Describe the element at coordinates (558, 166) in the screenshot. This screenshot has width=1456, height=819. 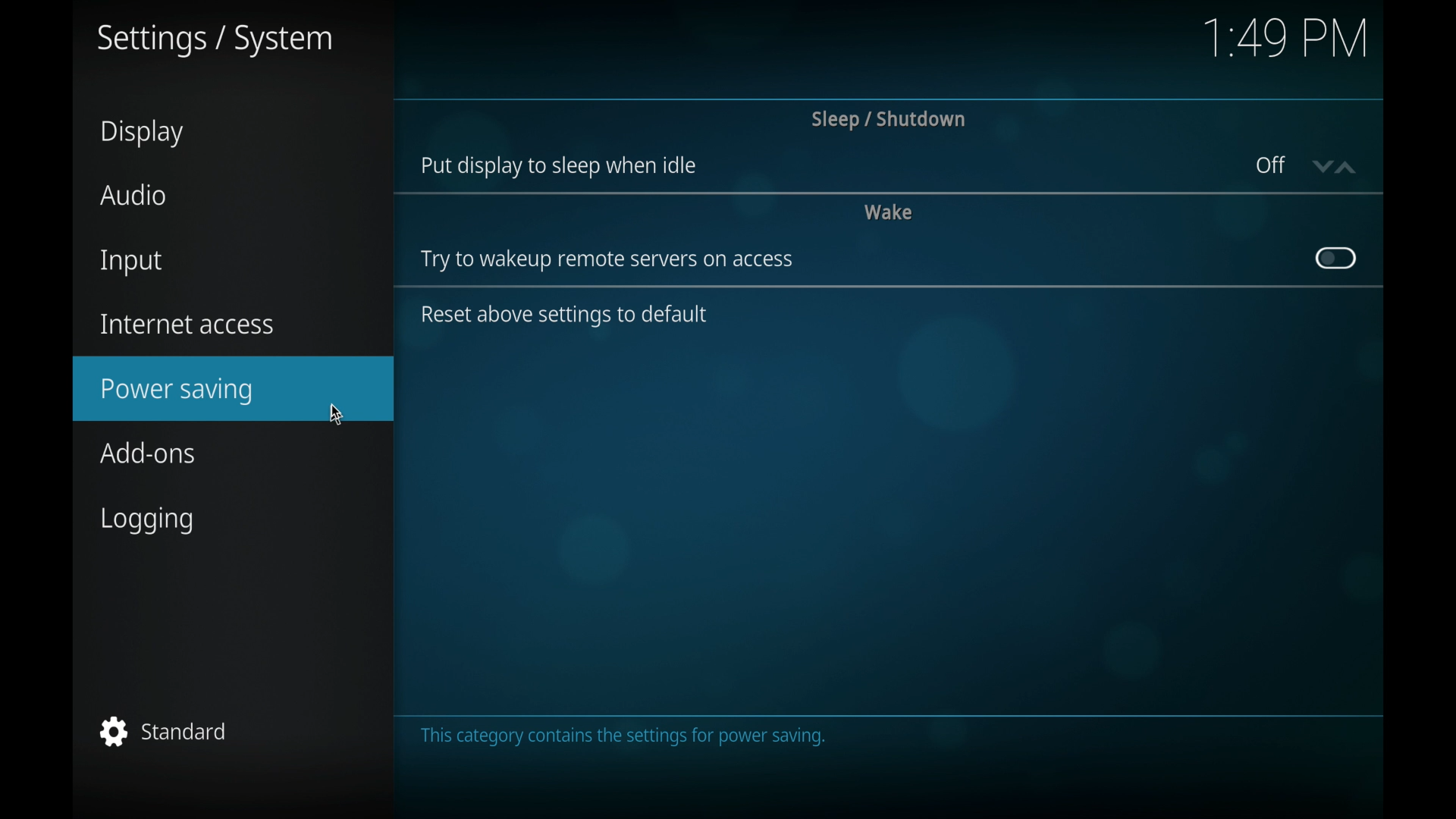
I see `put display to sleep when idle` at that location.